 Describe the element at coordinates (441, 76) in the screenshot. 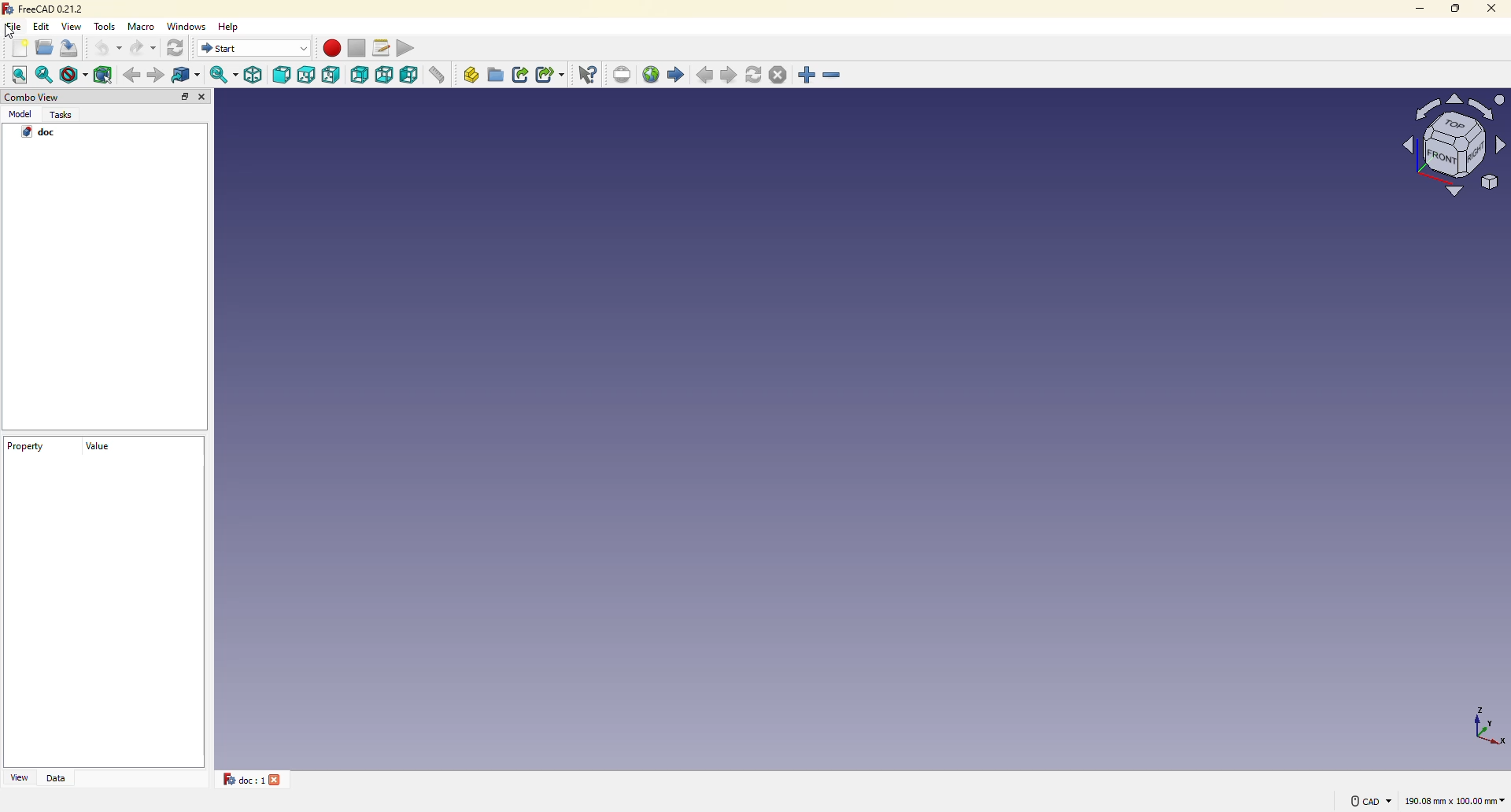

I see `measure distance` at that location.